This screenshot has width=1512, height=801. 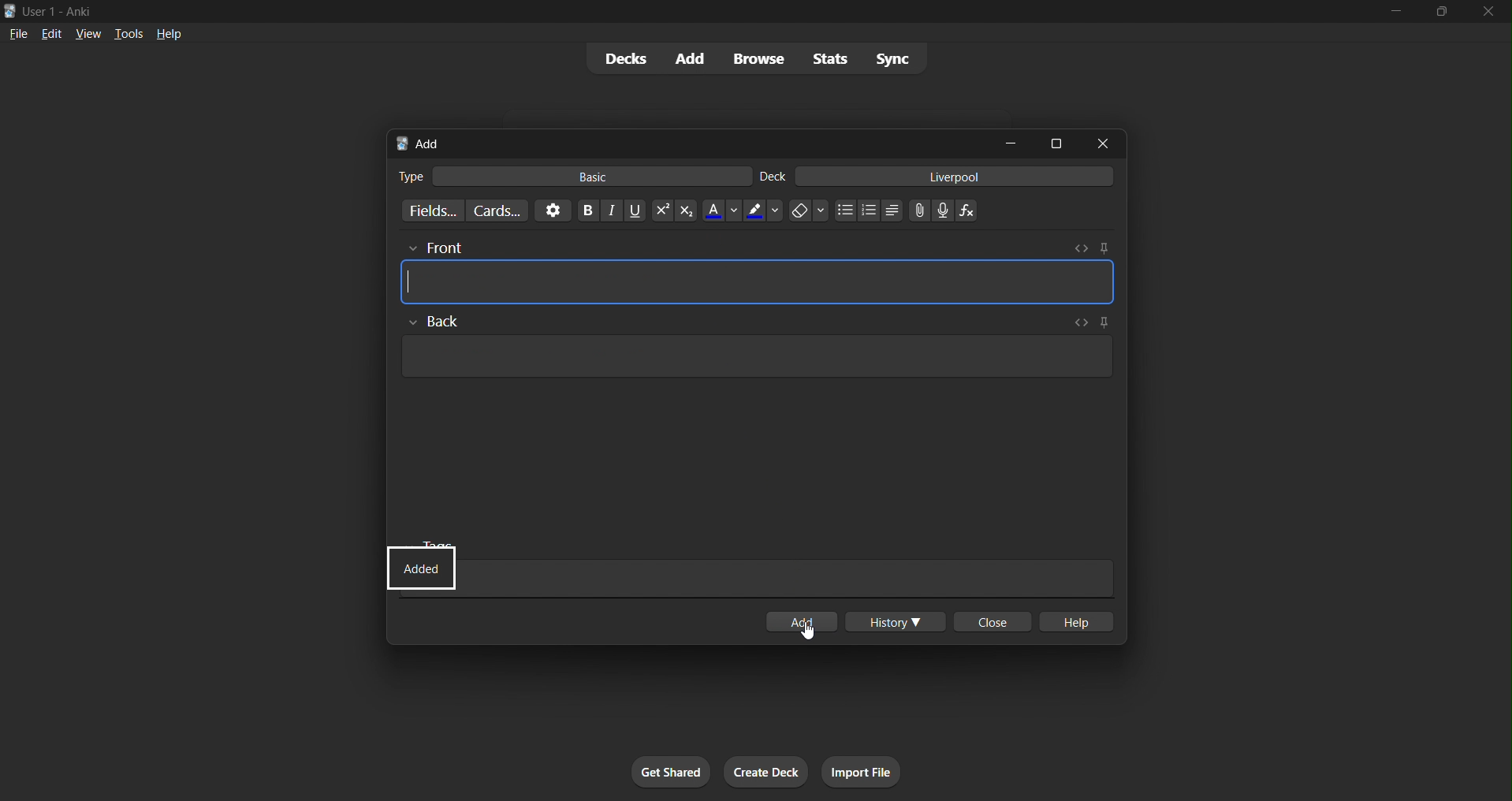 I want to click on help, so click(x=1078, y=621).